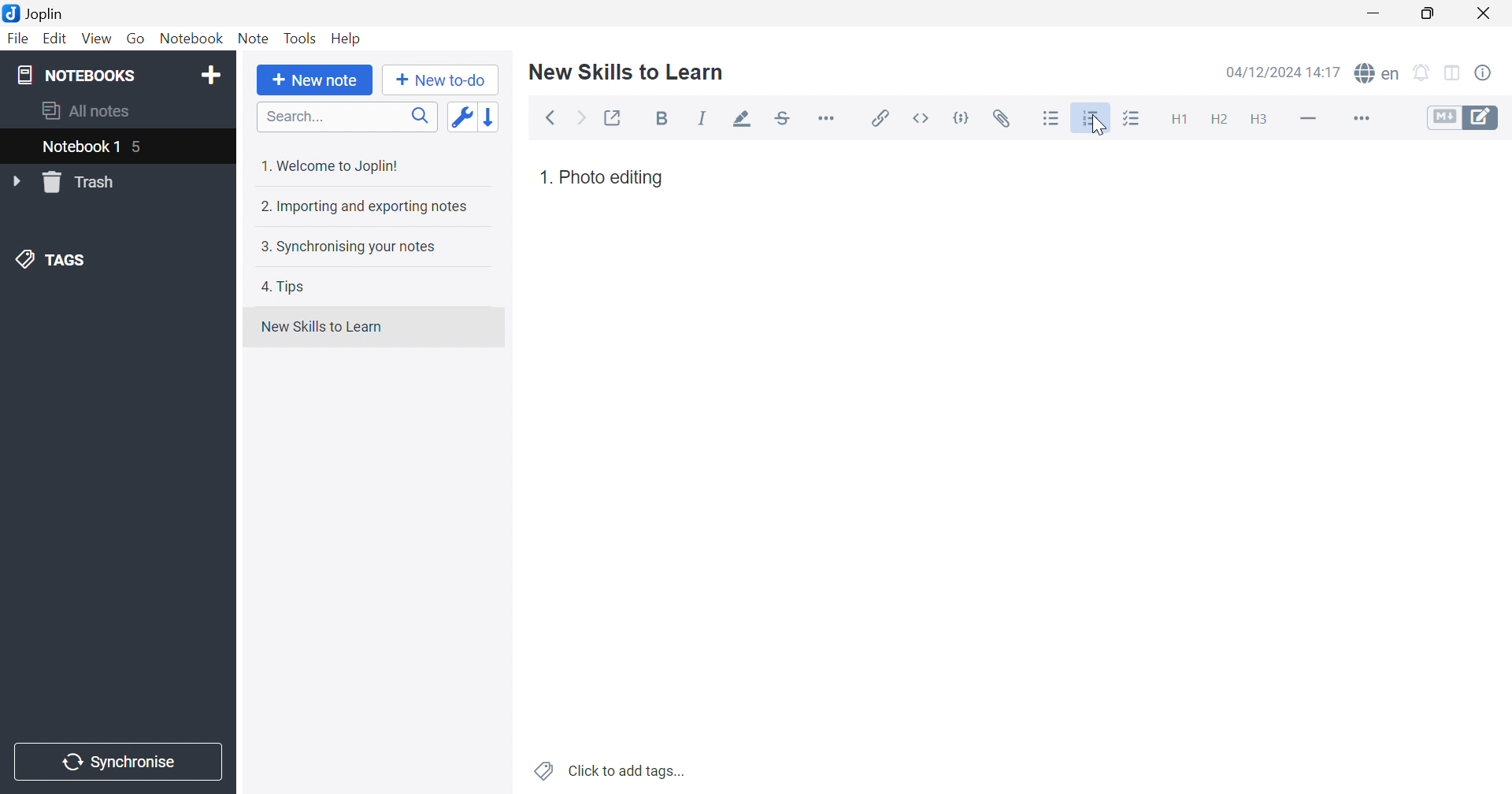 This screenshot has width=1512, height=794. I want to click on Notebook1, so click(78, 146).